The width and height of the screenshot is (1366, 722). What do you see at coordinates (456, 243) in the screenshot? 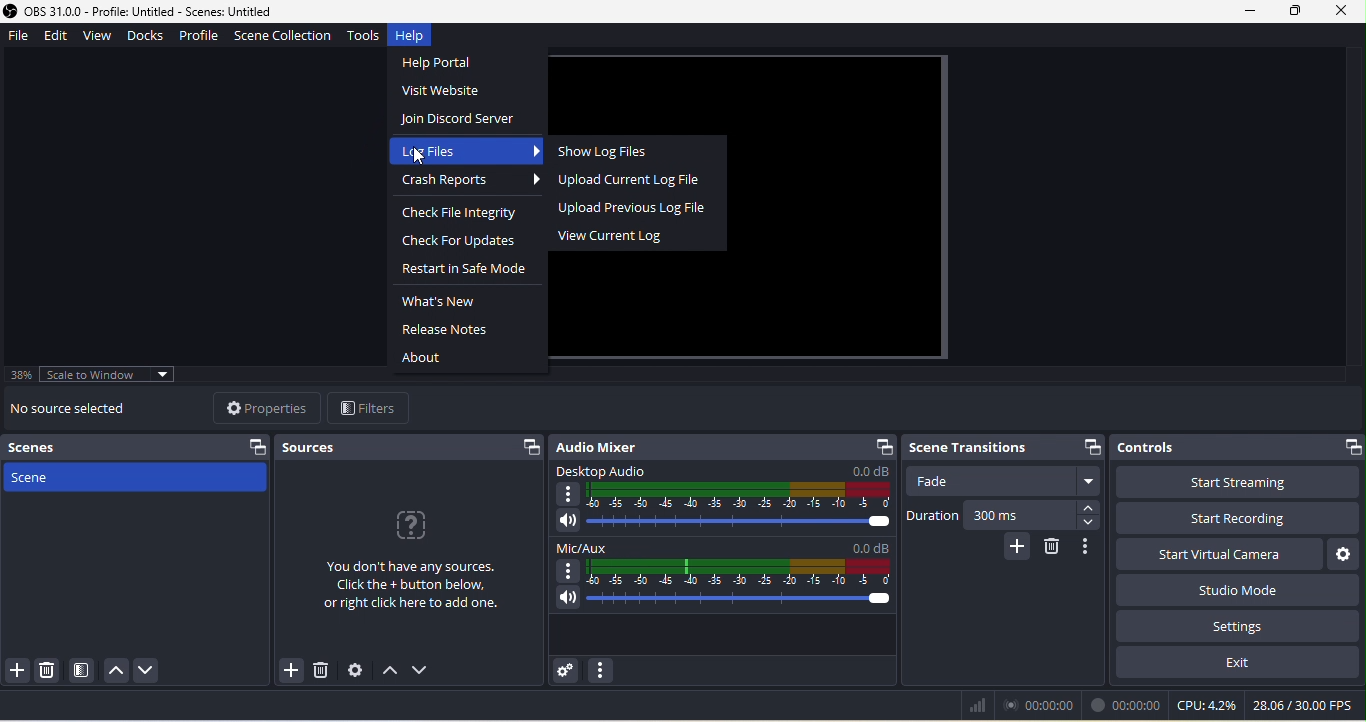
I see `check for updates` at bounding box center [456, 243].